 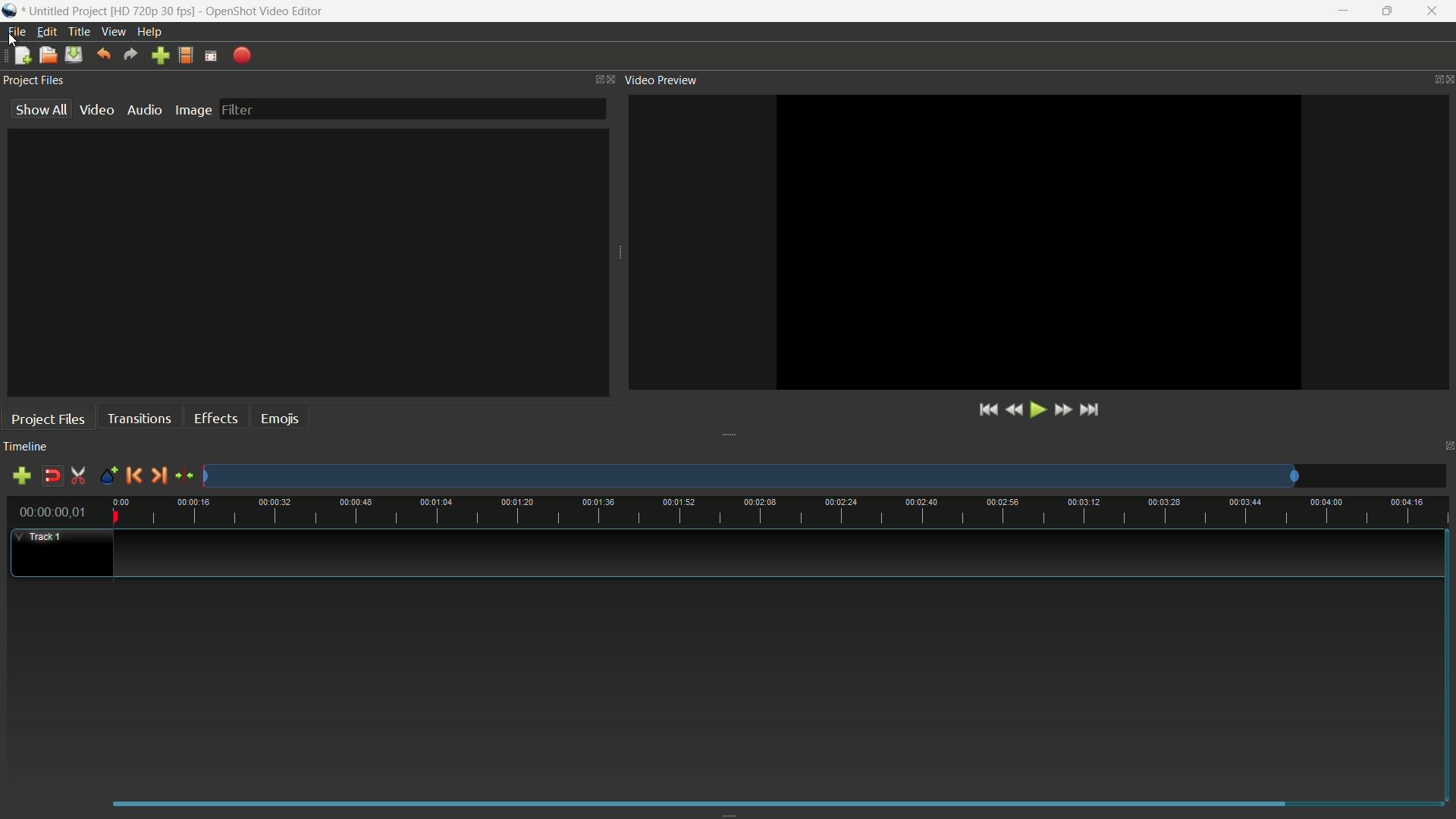 What do you see at coordinates (152, 11) in the screenshot?
I see `profile` at bounding box center [152, 11].